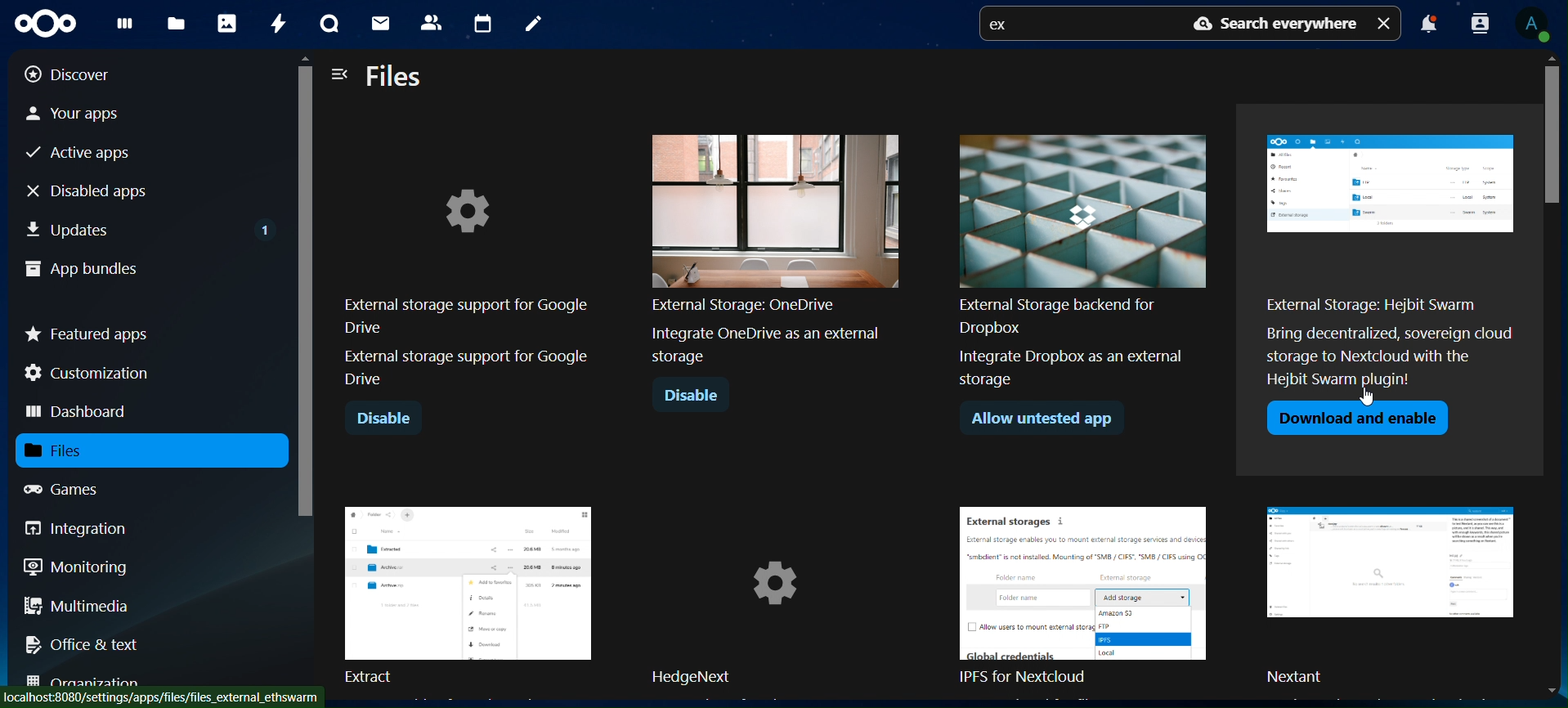 This screenshot has height=708, width=1568. What do you see at coordinates (82, 271) in the screenshot?
I see `app bundles` at bounding box center [82, 271].